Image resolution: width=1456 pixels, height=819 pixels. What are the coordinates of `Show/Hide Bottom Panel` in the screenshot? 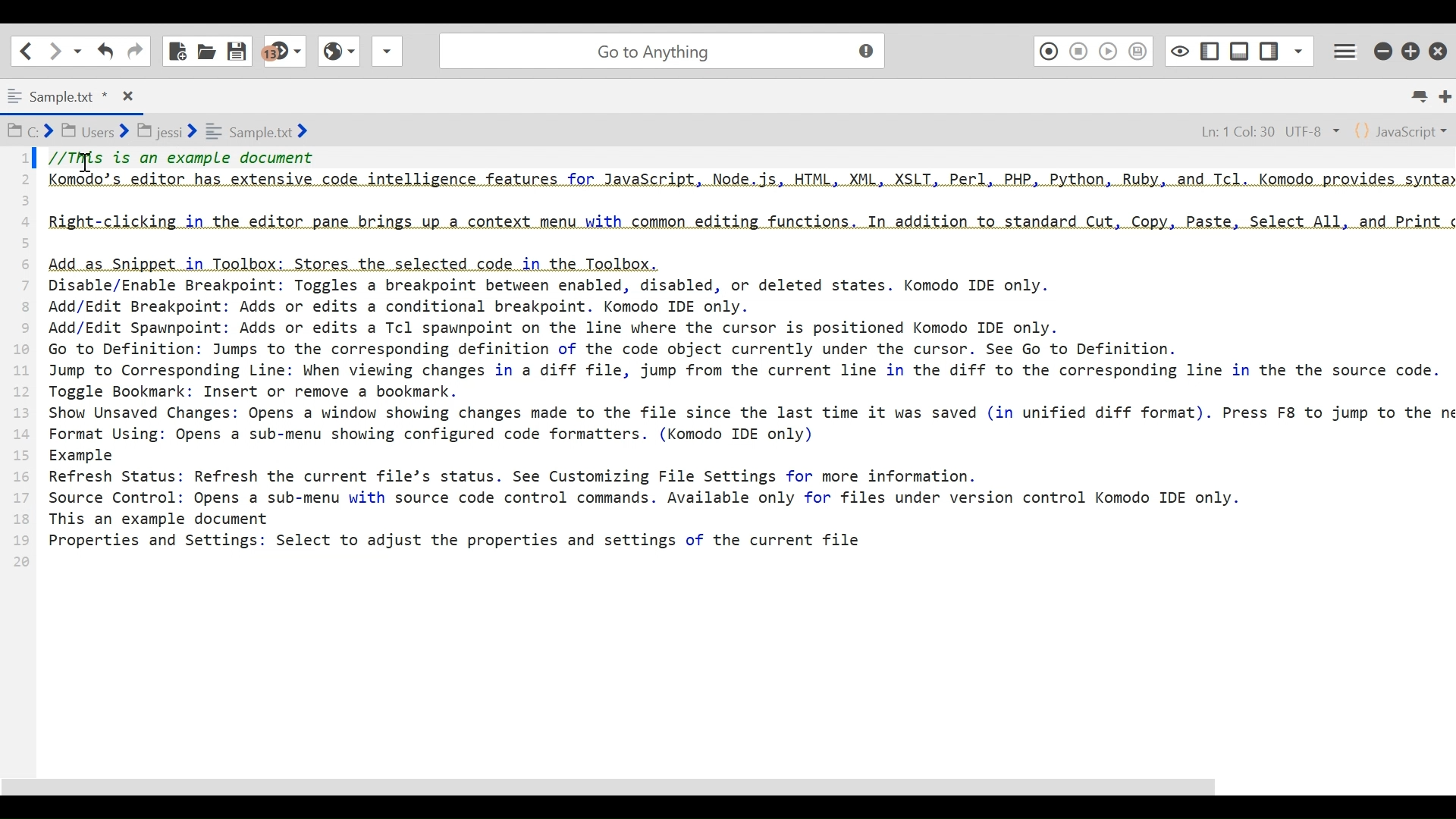 It's located at (1240, 49).